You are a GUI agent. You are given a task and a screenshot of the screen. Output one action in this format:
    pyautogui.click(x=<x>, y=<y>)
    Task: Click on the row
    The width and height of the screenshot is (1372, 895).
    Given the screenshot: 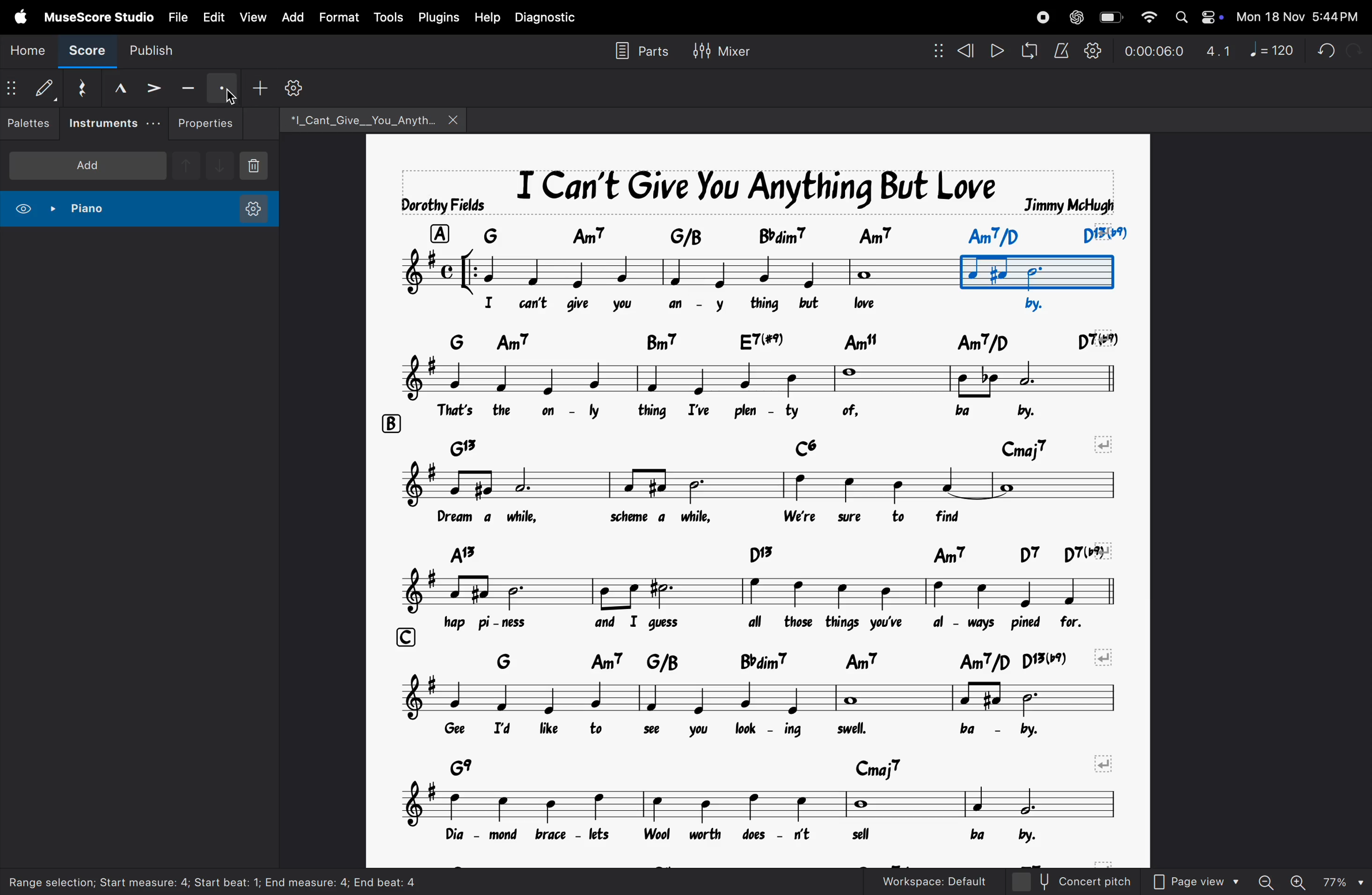 What is the action you would take?
    pyautogui.click(x=402, y=637)
    